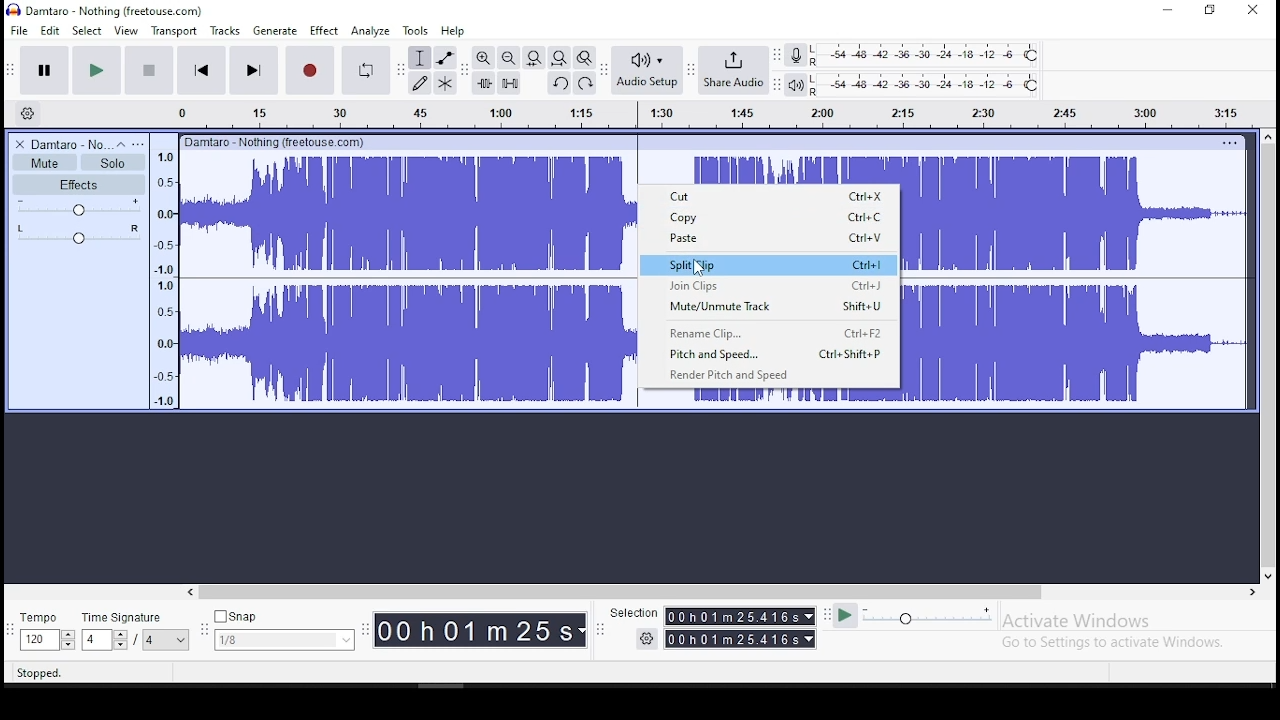 This screenshot has width=1280, height=720. What do you see at coordinates (80, 211) in the screenshot?
I see `volume` at bounding box center [80, 211].